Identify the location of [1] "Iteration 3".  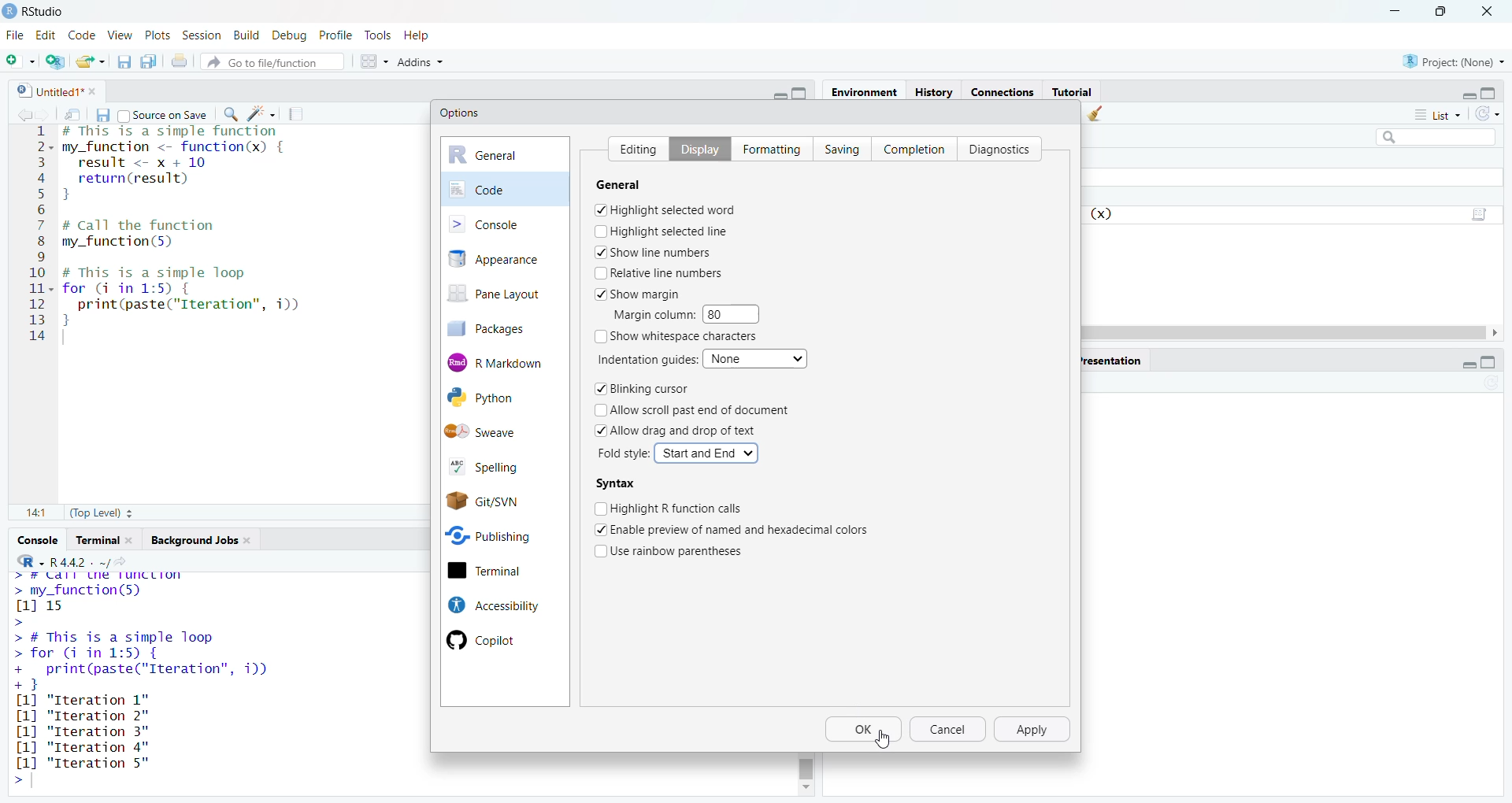
(80, 747).